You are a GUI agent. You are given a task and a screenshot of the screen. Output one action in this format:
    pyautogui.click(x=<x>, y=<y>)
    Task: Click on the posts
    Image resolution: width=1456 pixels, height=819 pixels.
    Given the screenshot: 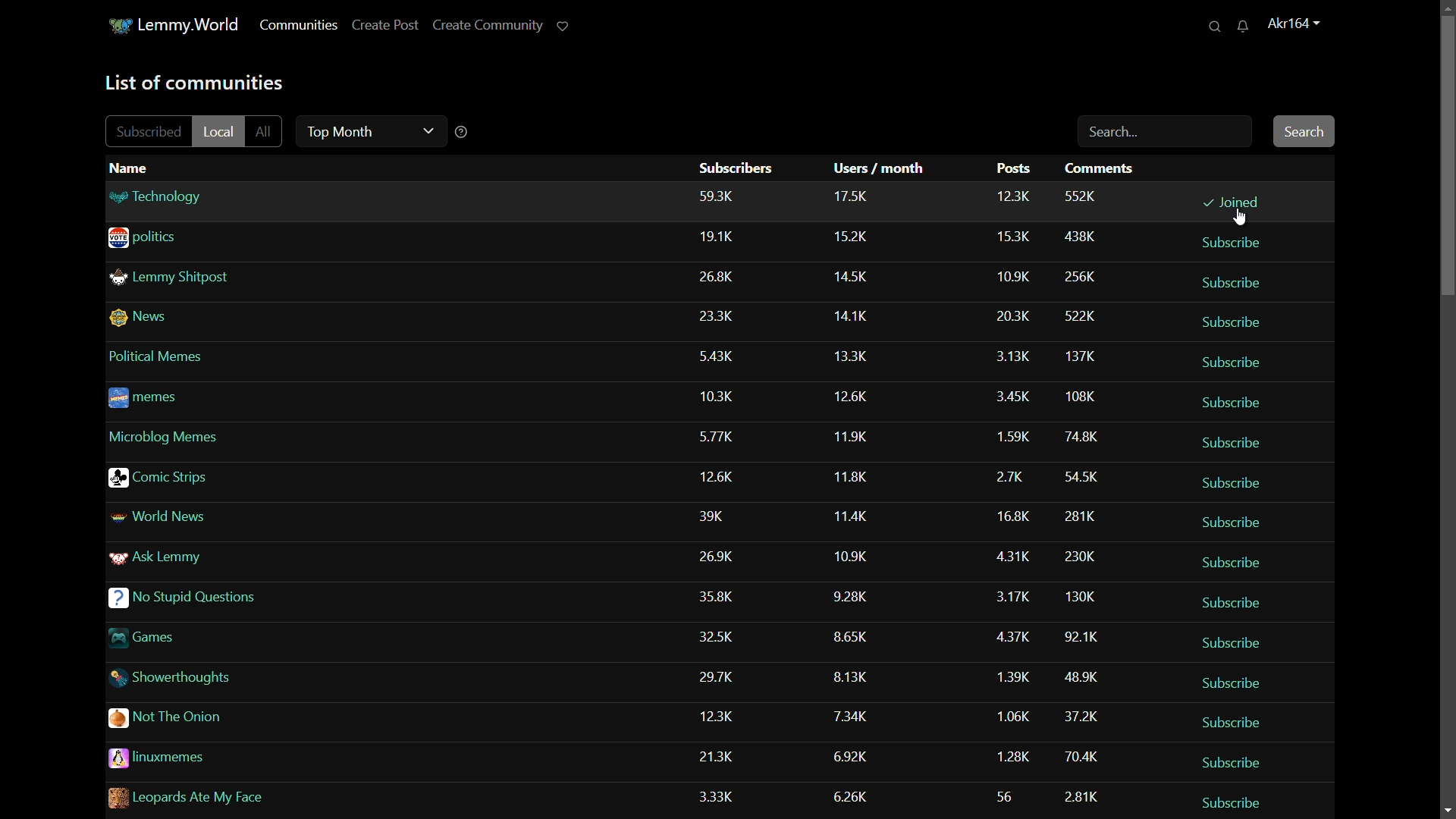 What is the action you would take?
    pyautogui.click(x=1010, y=713)
    